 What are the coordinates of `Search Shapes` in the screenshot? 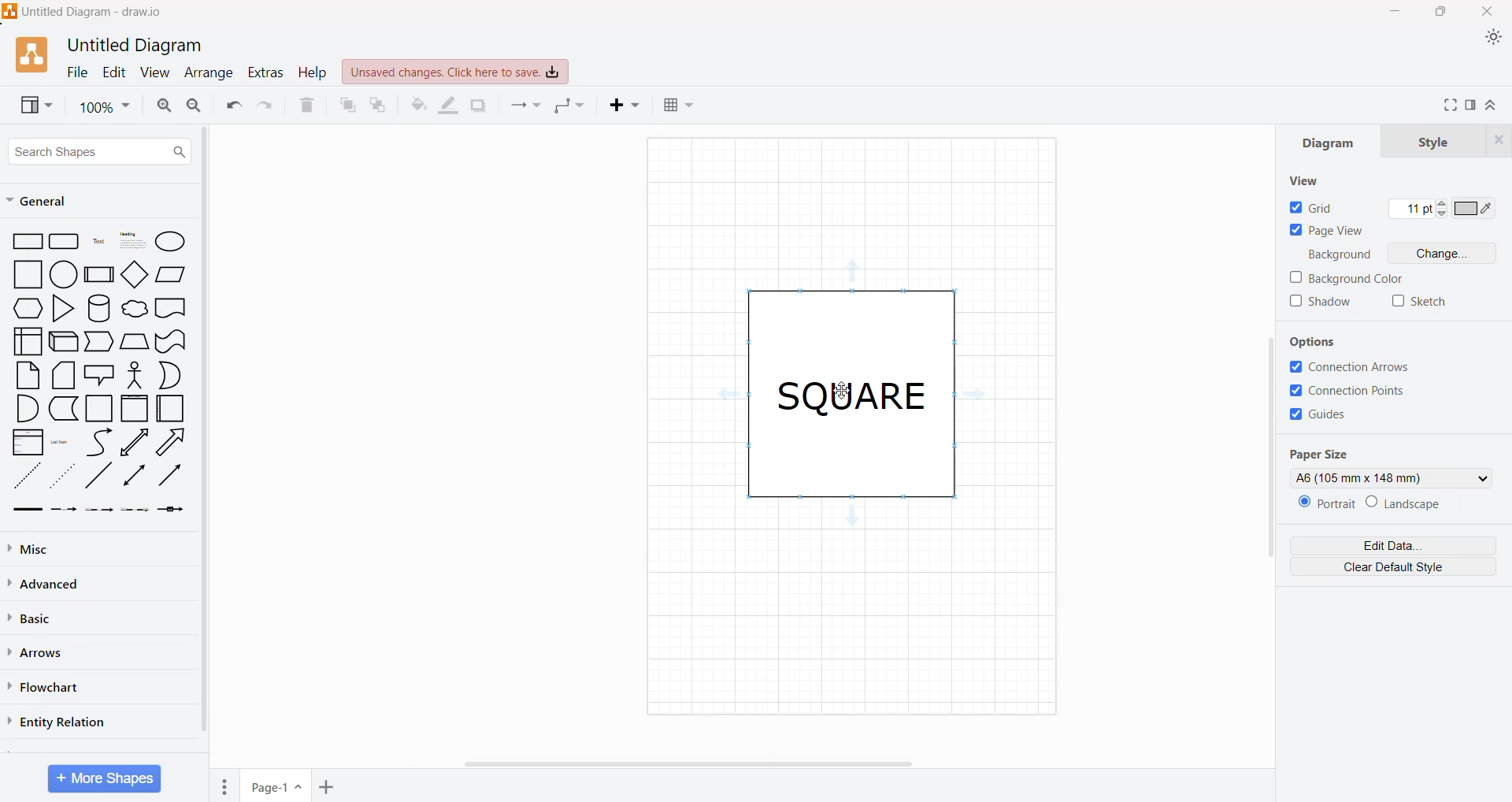 It's located at (99, 150).